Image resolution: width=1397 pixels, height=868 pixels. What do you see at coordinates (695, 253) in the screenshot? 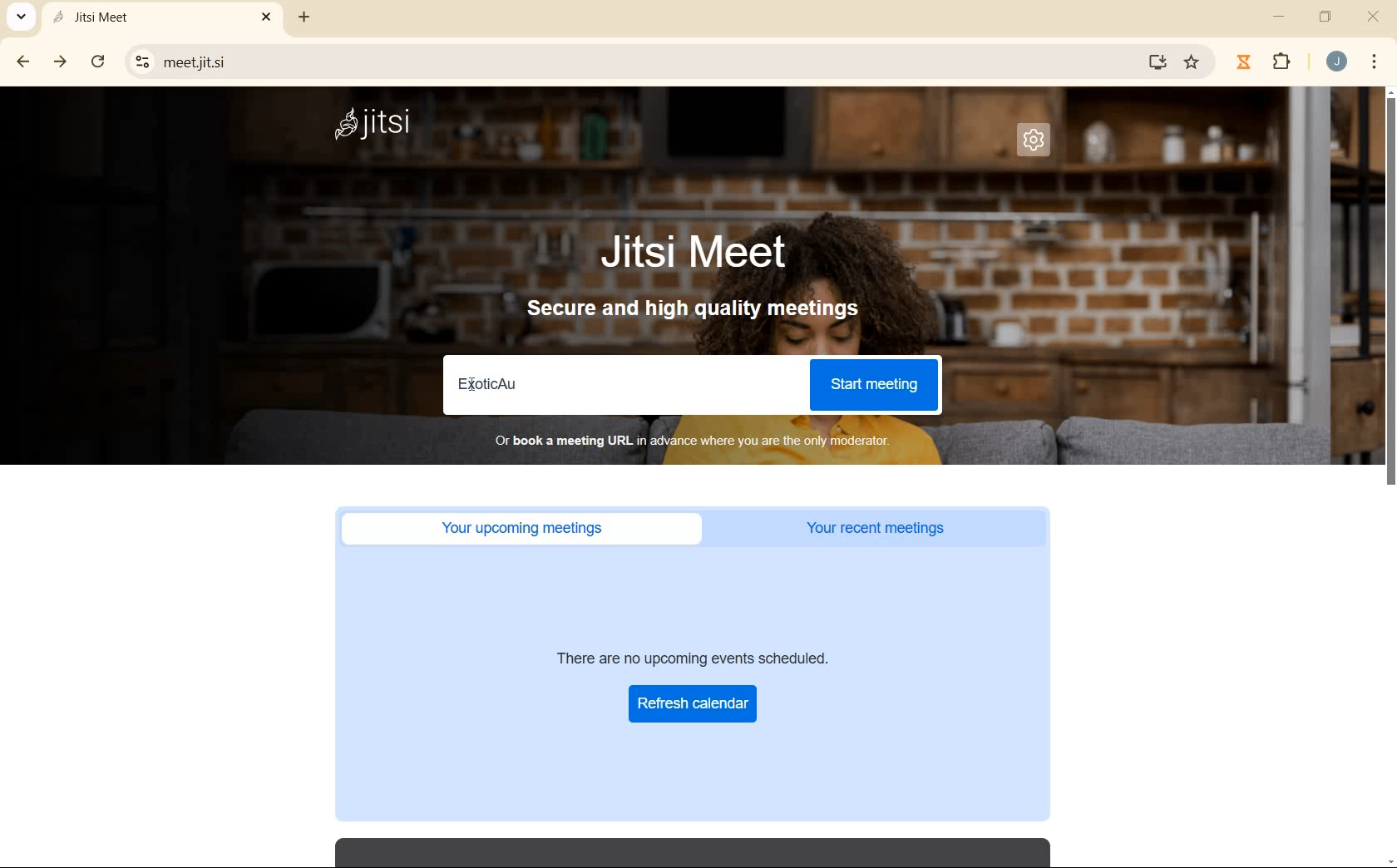
I see `Jitsi Meet` at bounding box center [695, 253].